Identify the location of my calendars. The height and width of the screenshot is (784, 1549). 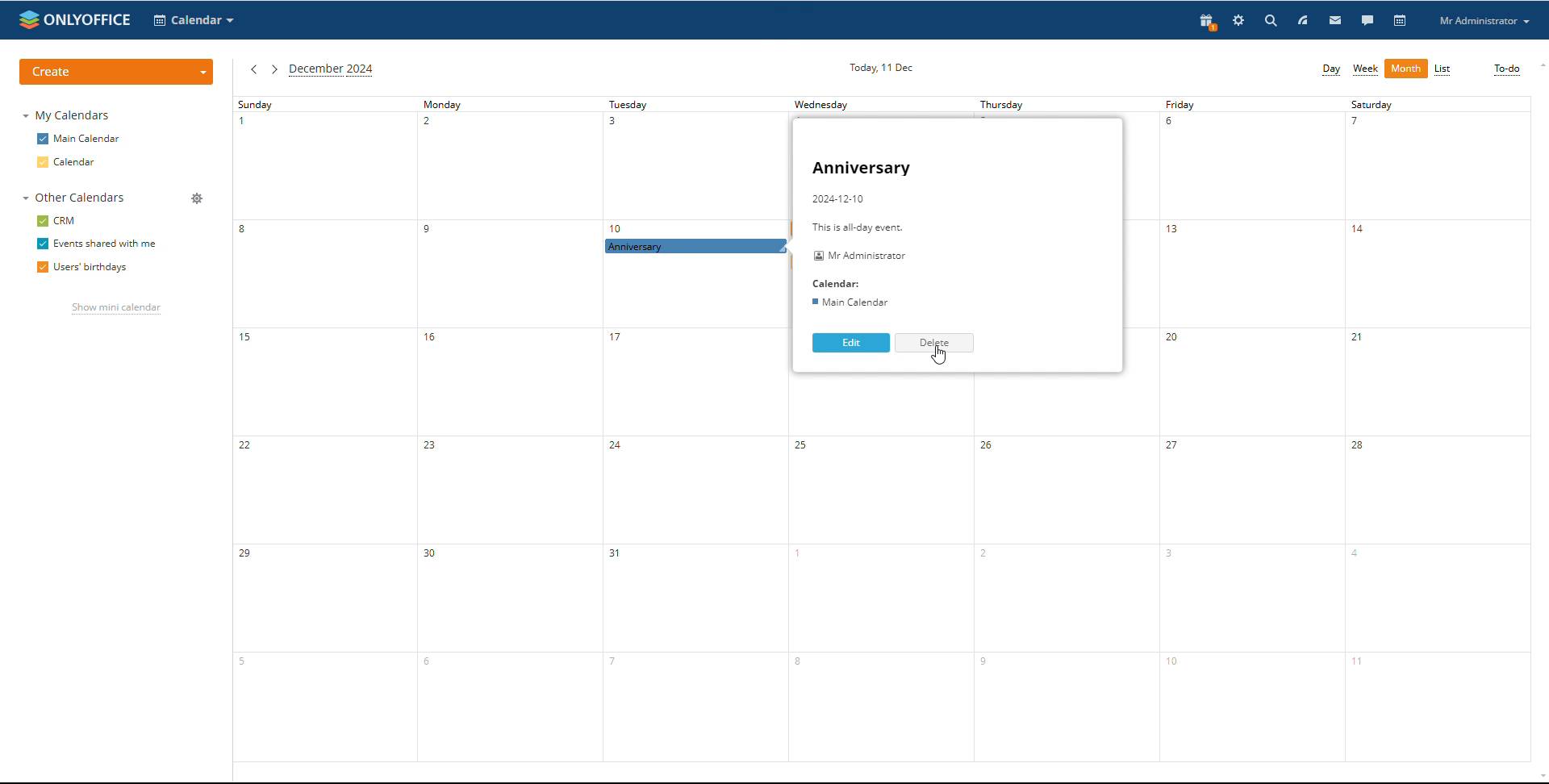
(69, 115).